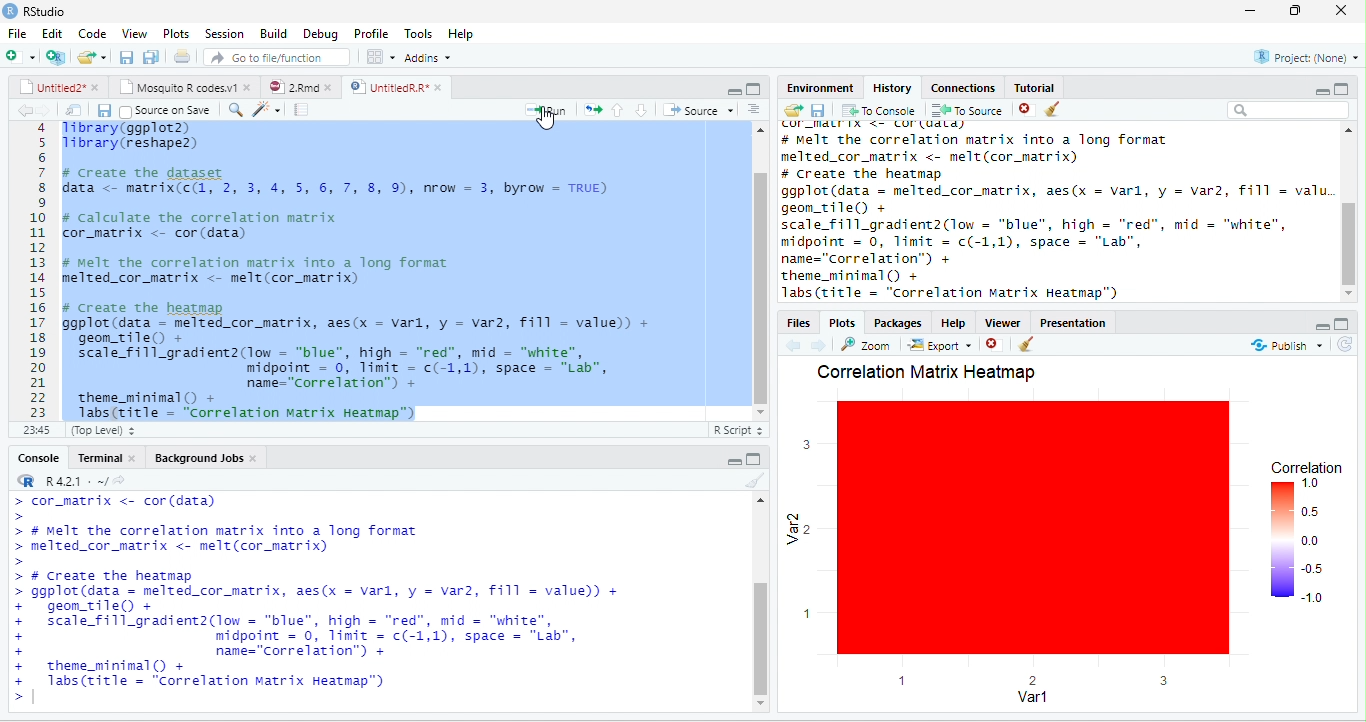 The image size is (1366, 722). I want to click on build, so click(273, 32).